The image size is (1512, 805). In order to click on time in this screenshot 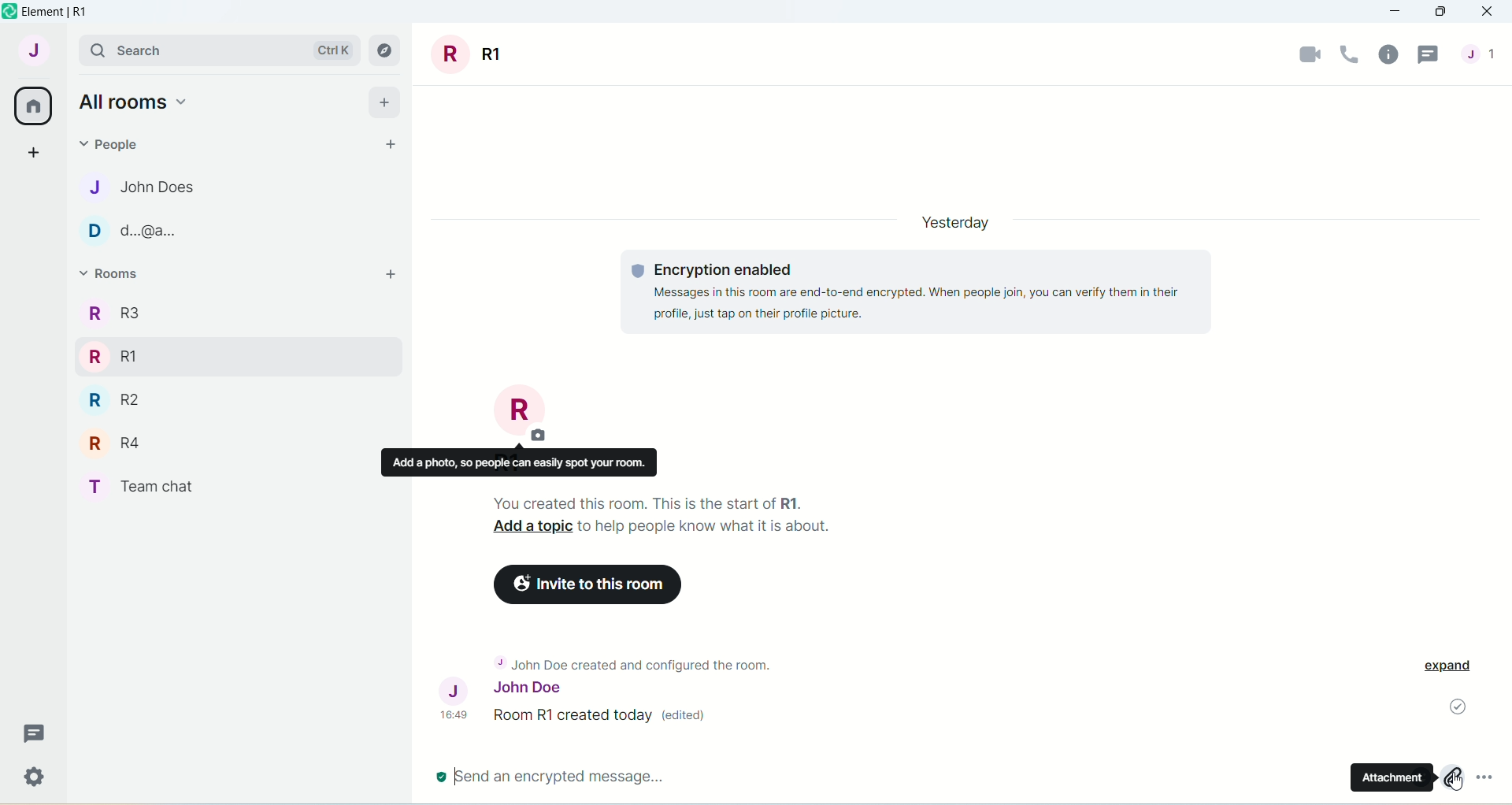, I will do `click(457, 717)`.